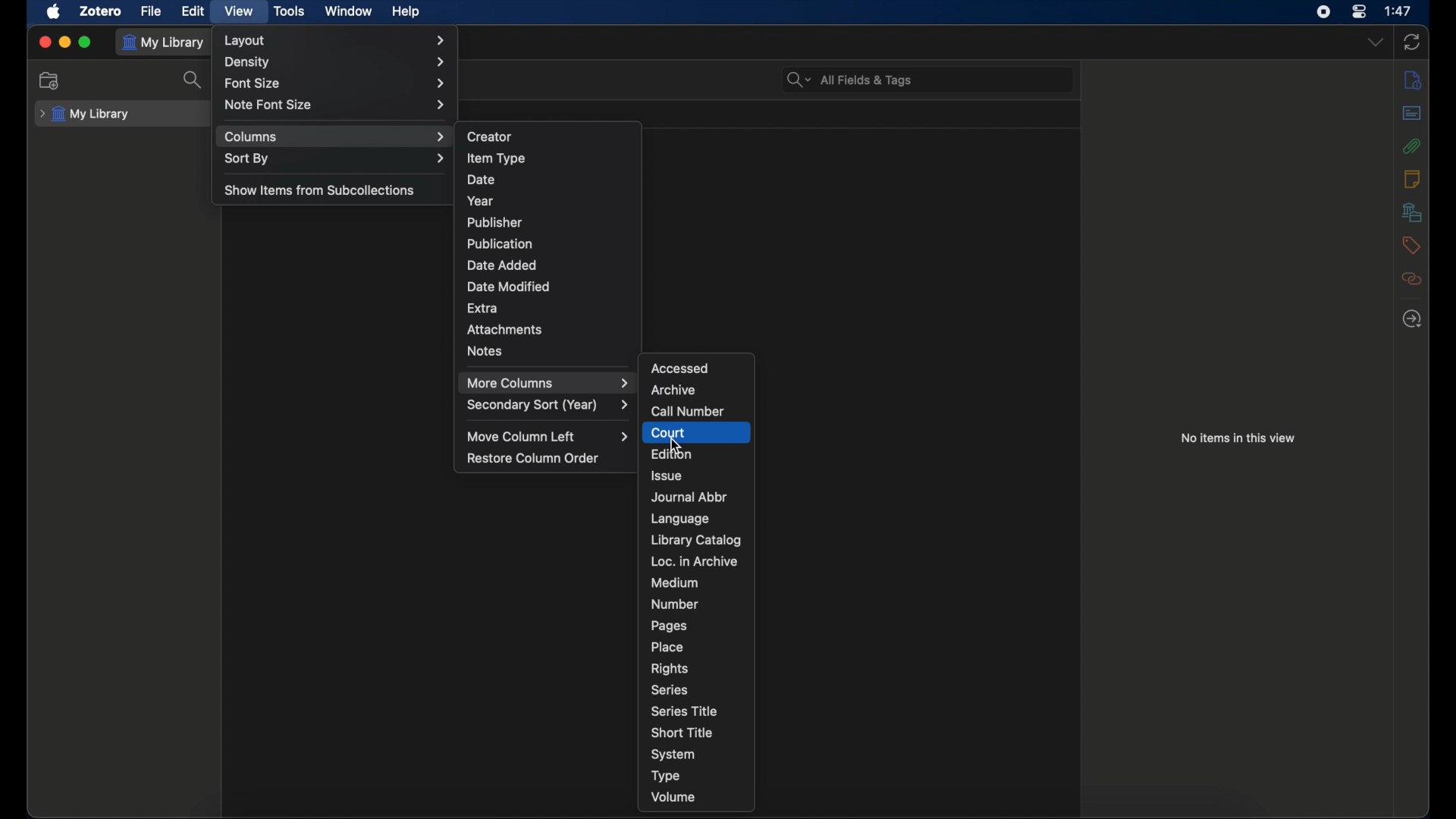  What do you see at coordinates (669, 626) in the screenshot?
I see `pages` at bounding box center [669, 626].